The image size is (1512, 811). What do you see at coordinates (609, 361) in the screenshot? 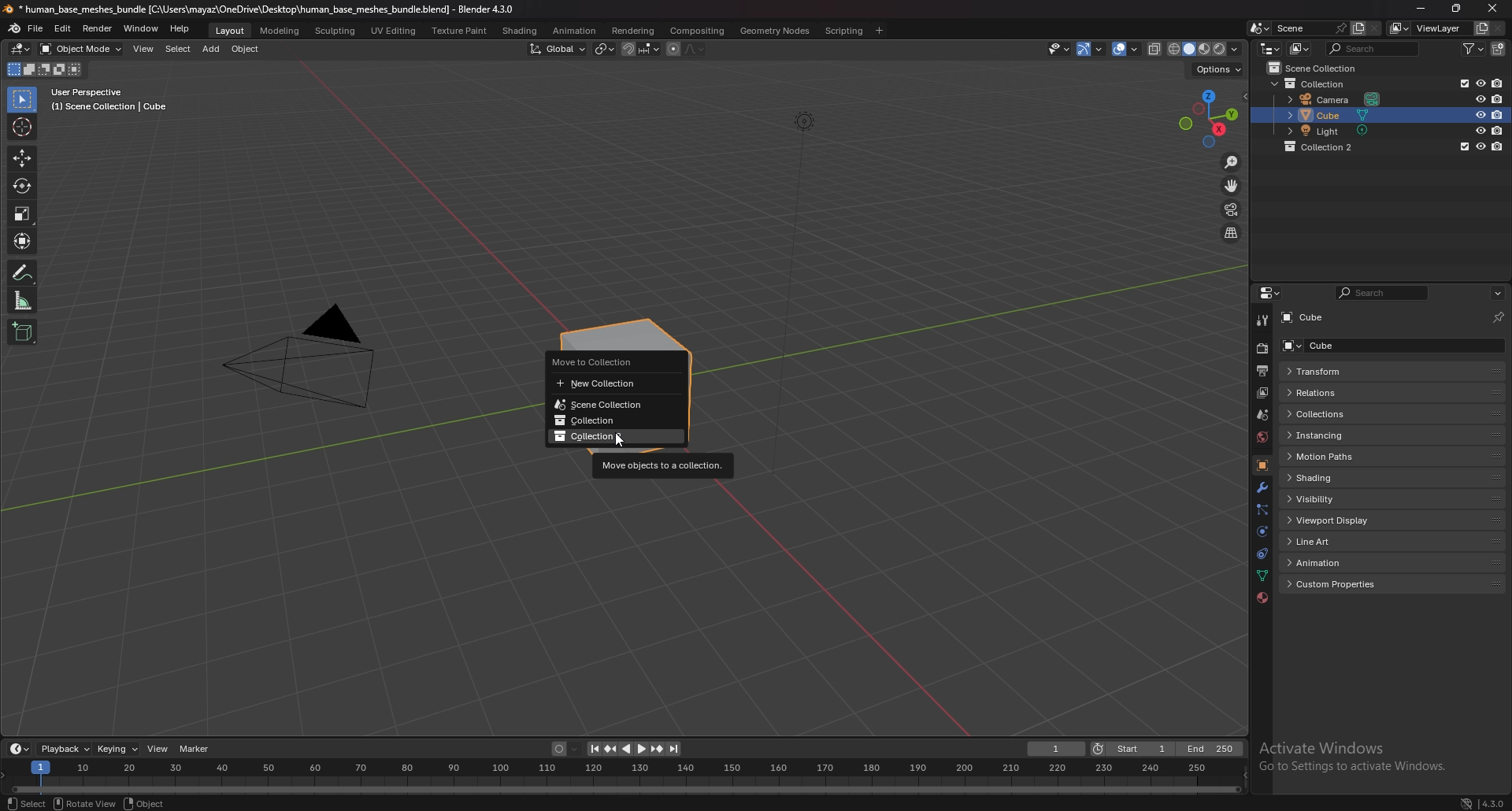
I see `move to collection` at bounding box center [609, 361].